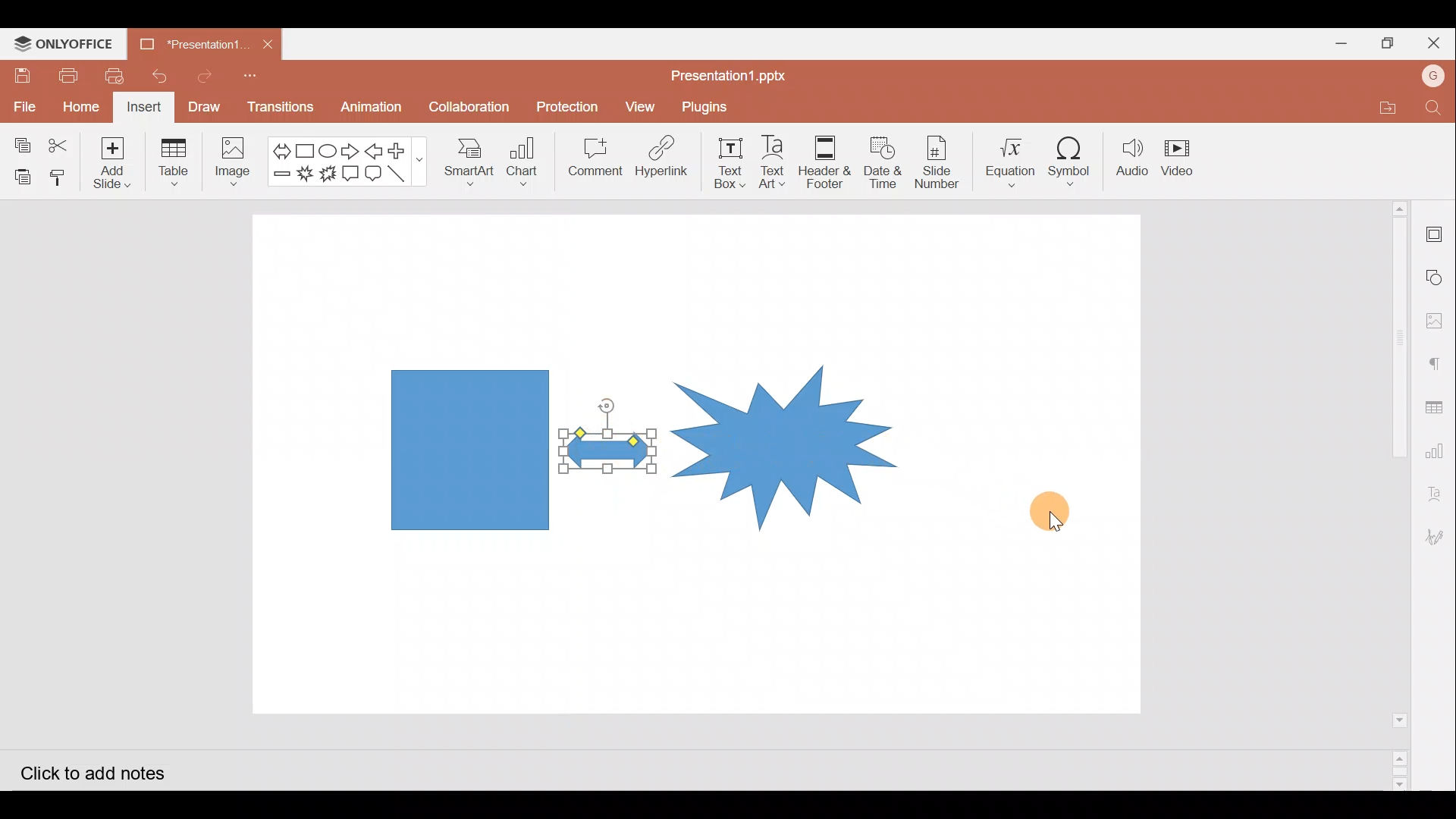 The height and width of the screenshot is (819, 1456). I want to click on Image, so click(233, 160).